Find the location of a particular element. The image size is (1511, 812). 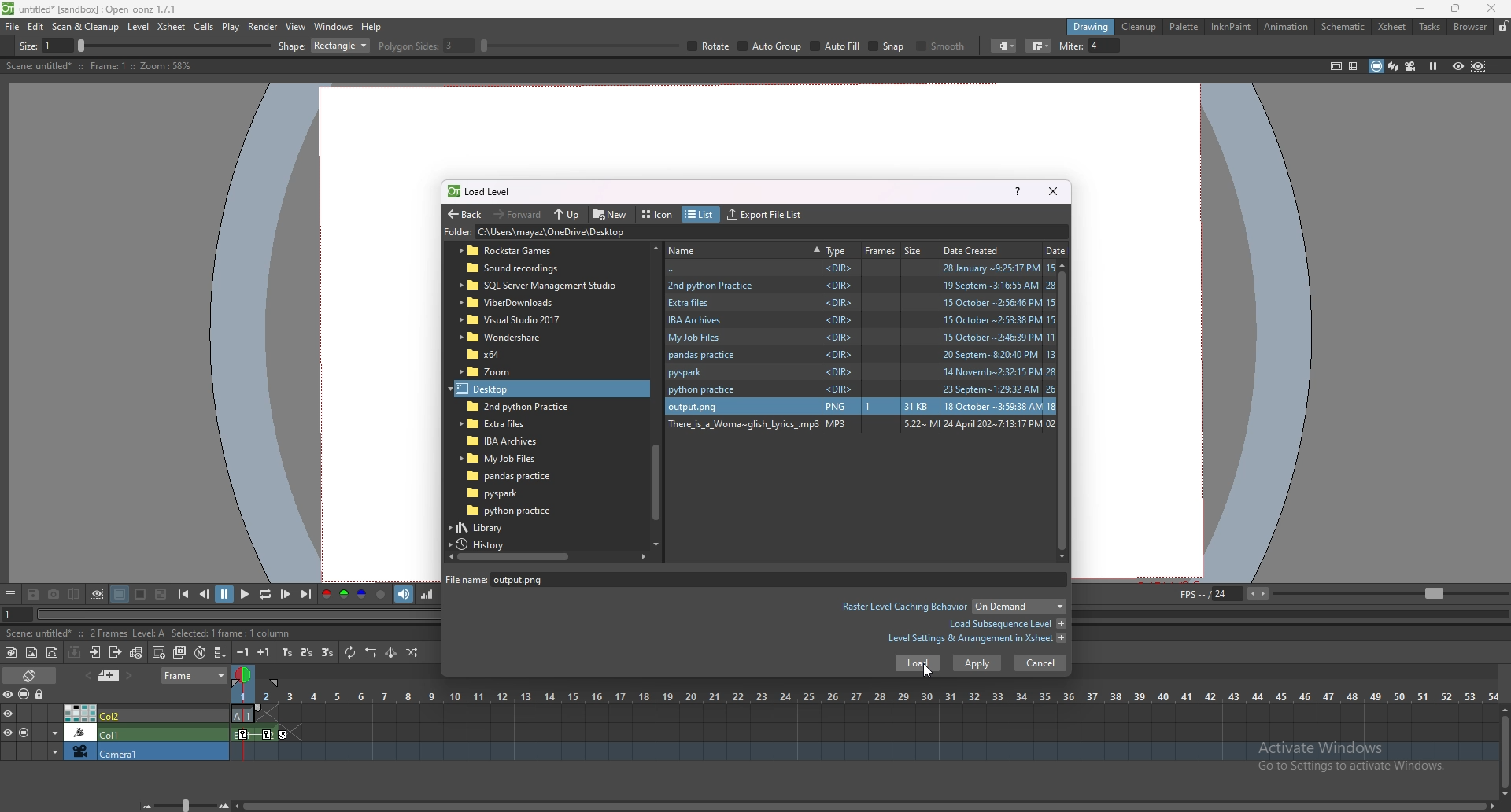

reframe on 1s is located at coordinates (289, 652).